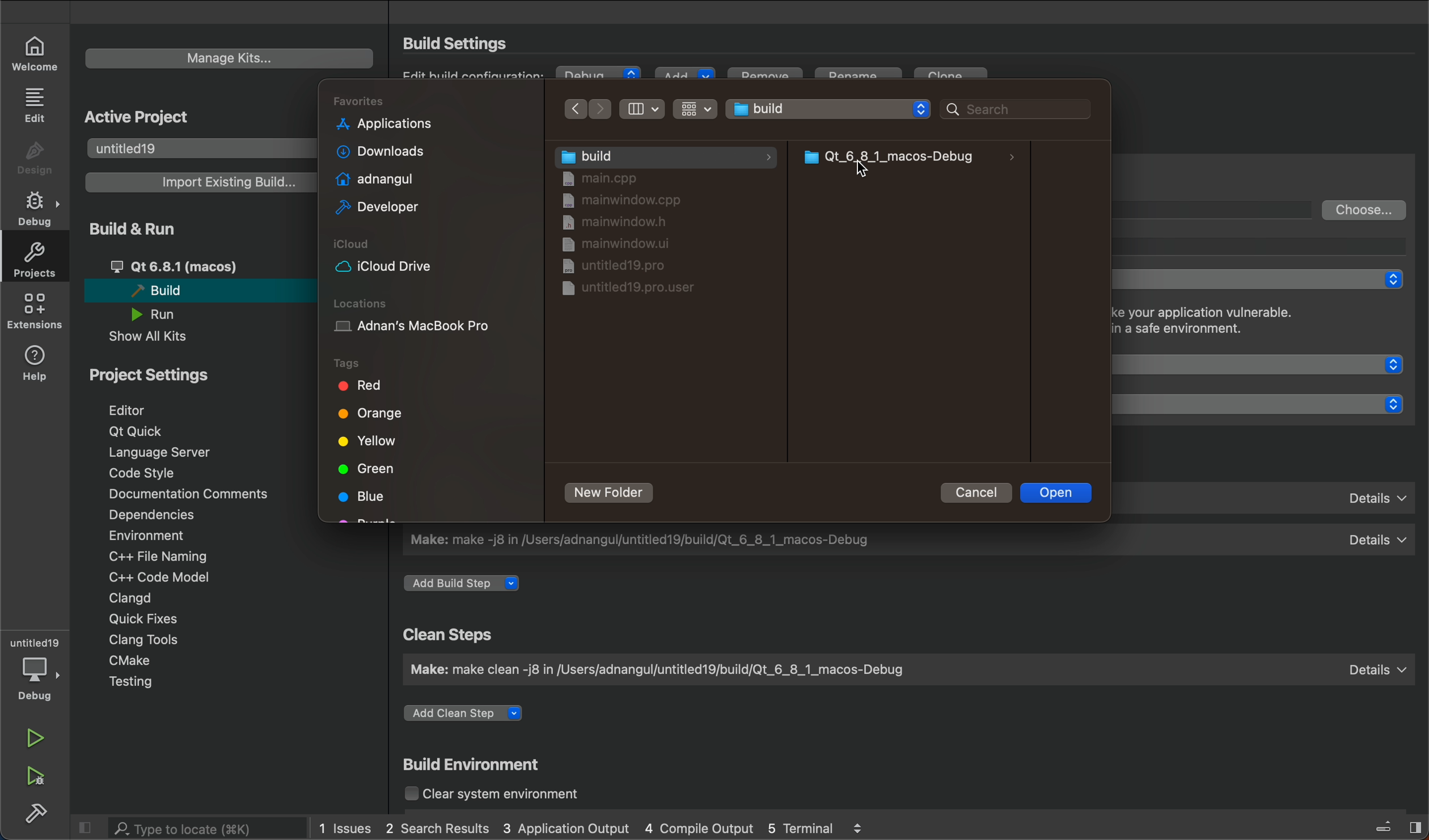  I want to click on active project, so click(141, 114).